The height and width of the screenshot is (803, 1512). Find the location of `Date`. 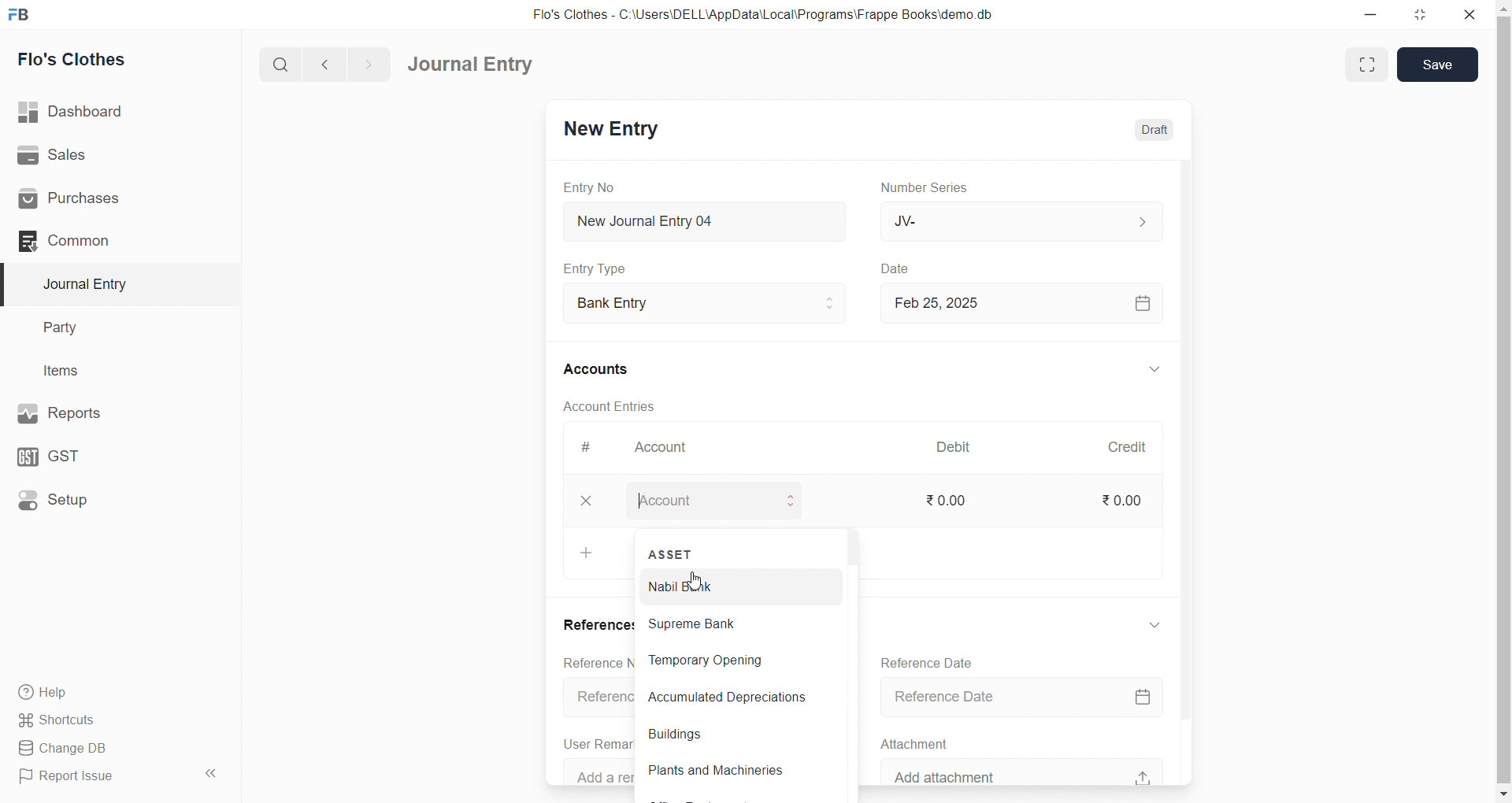

Date is located at coordinates (906, 269).